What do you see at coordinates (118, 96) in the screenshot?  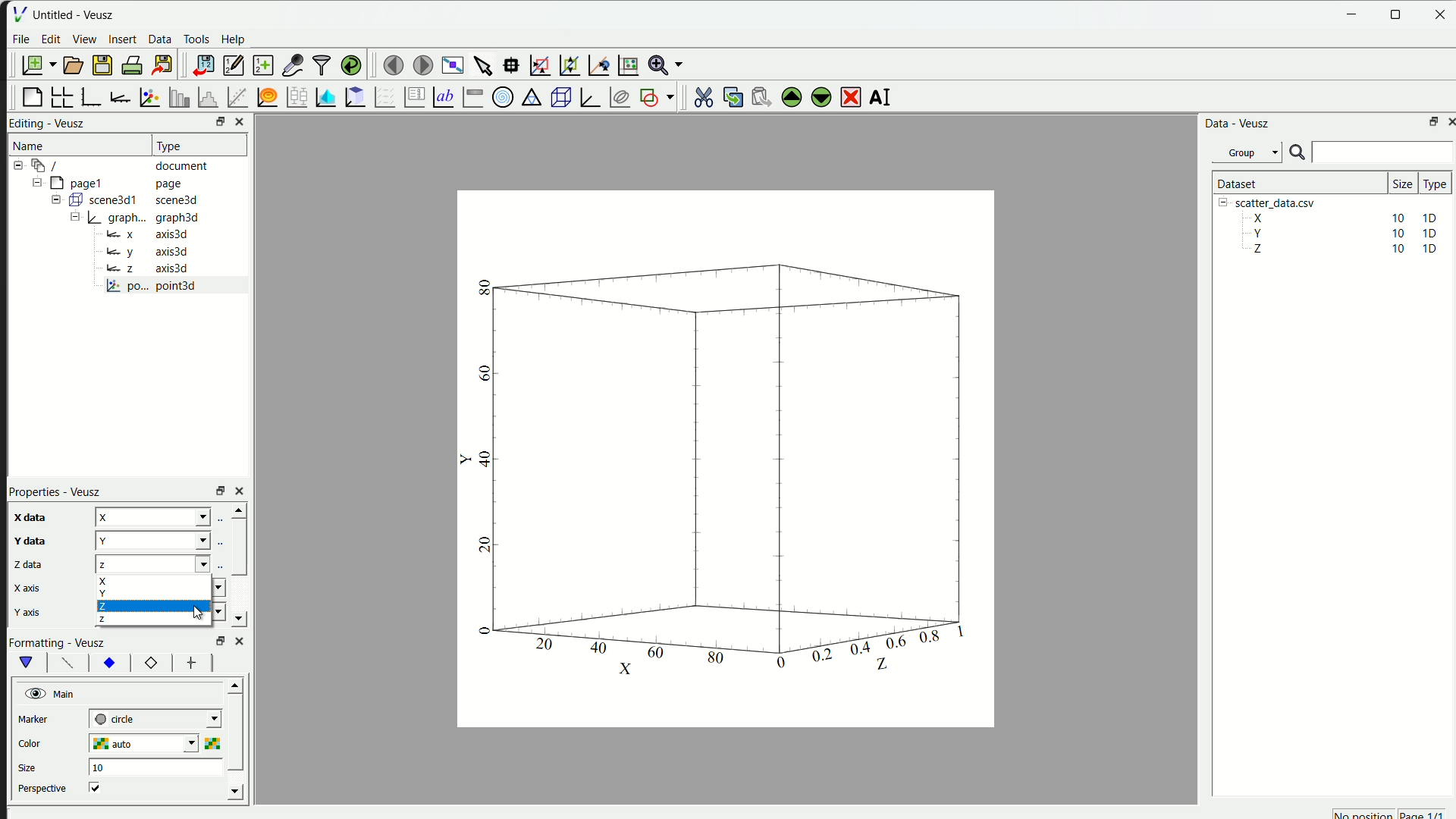 I see `add axis to plot` at bounding box center [118, 96].